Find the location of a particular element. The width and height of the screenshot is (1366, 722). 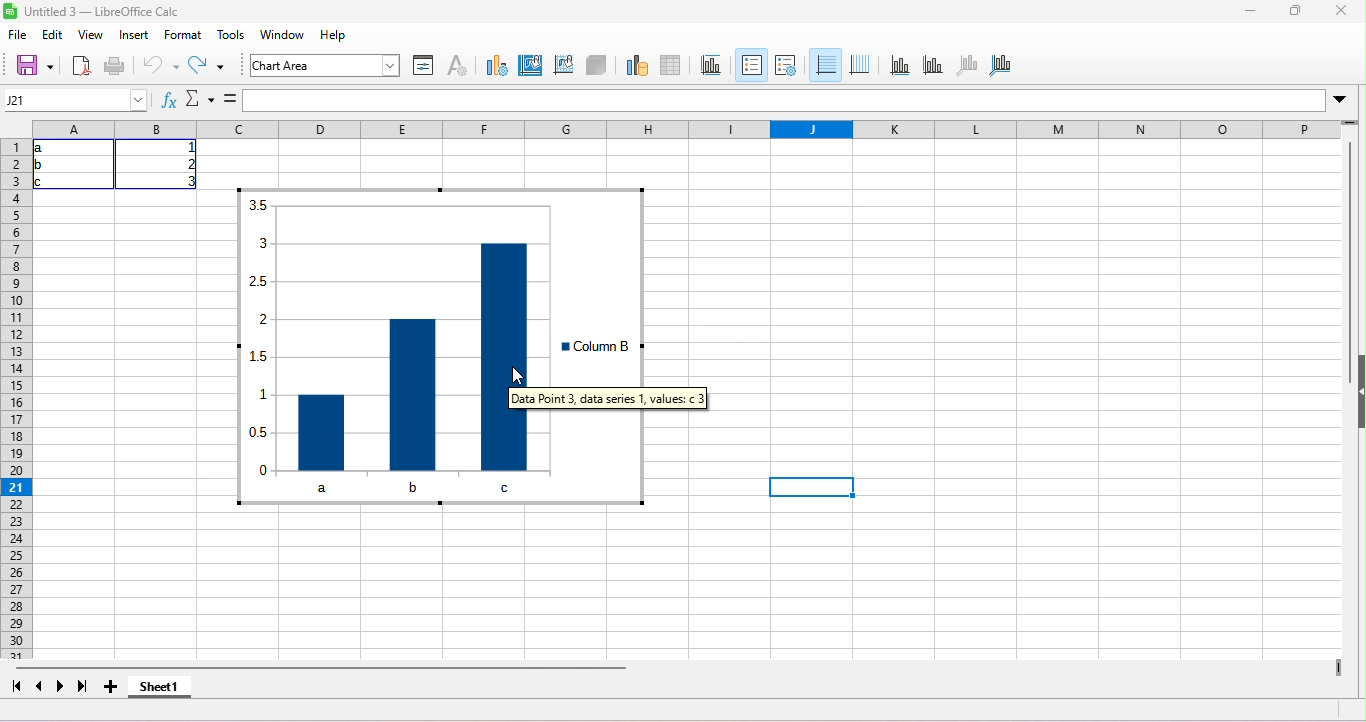

column headings is located at coordinates (698, 128).